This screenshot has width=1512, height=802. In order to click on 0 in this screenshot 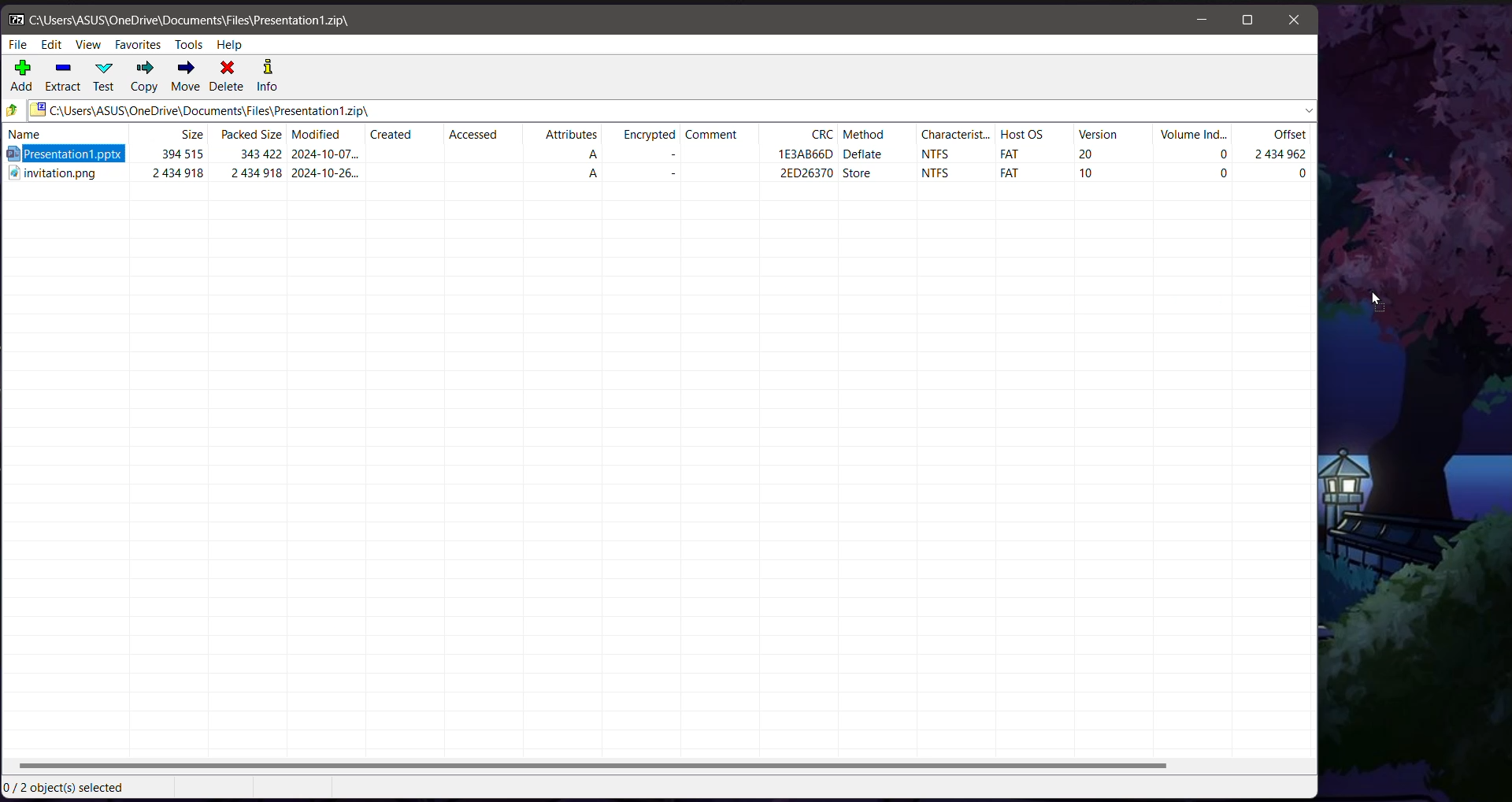, I will do `click(1206, 157)`.